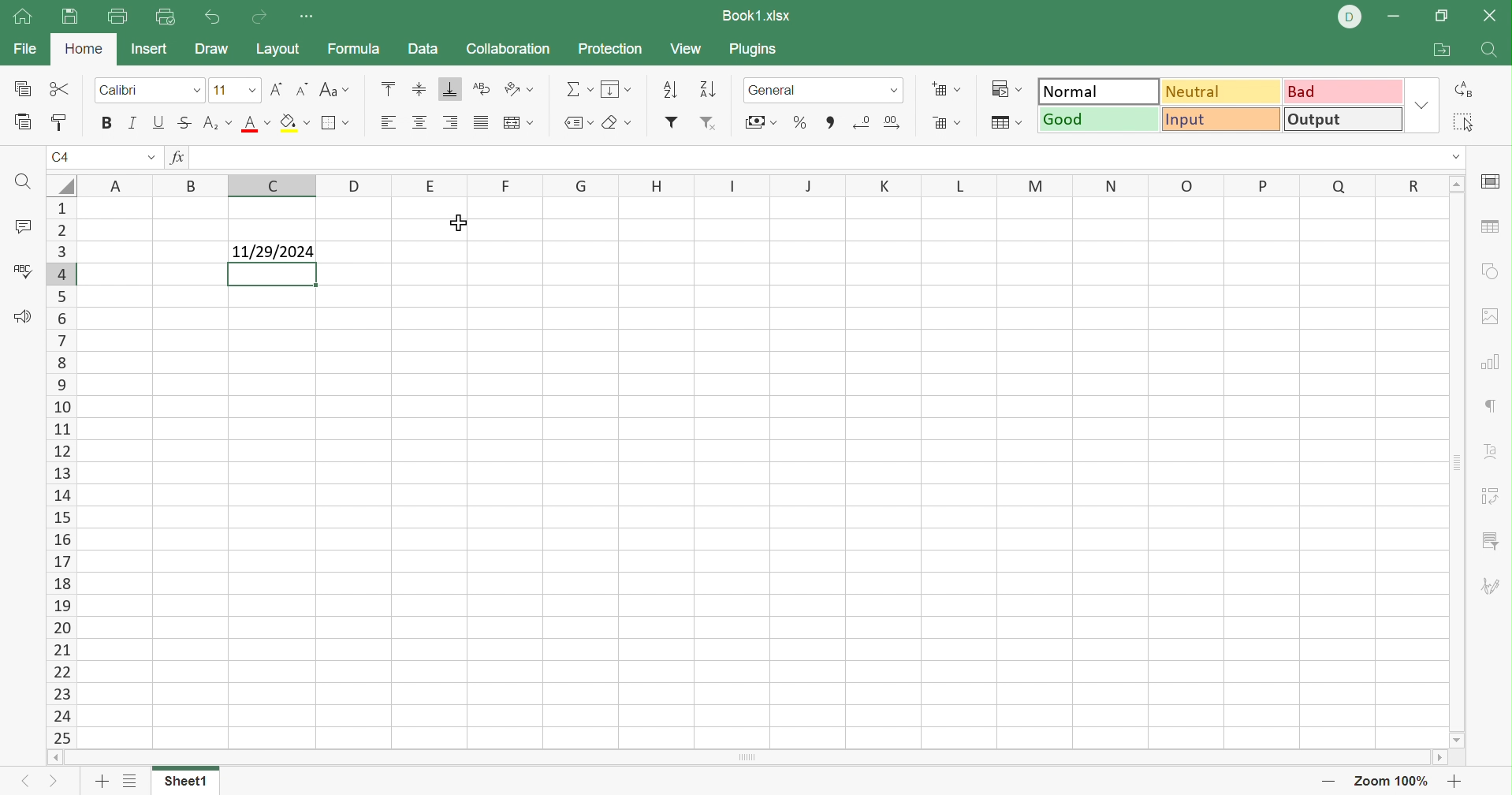 The image size is (1512, 795). Describe the element at coordinates (259, 19) in the screenshot. I see `Redo` at that location.